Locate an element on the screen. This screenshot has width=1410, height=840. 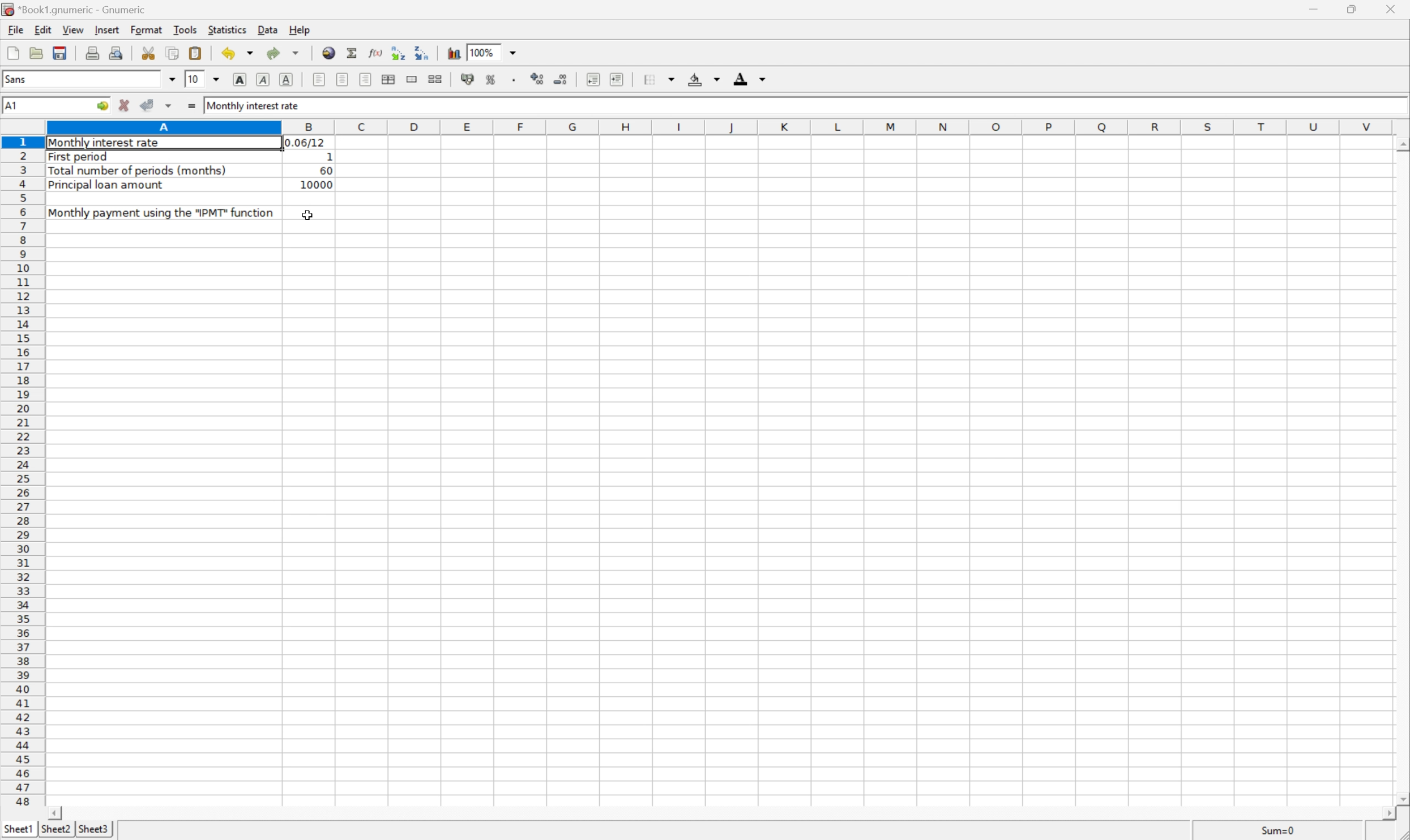
10000 is located at coordinates (313, 186).